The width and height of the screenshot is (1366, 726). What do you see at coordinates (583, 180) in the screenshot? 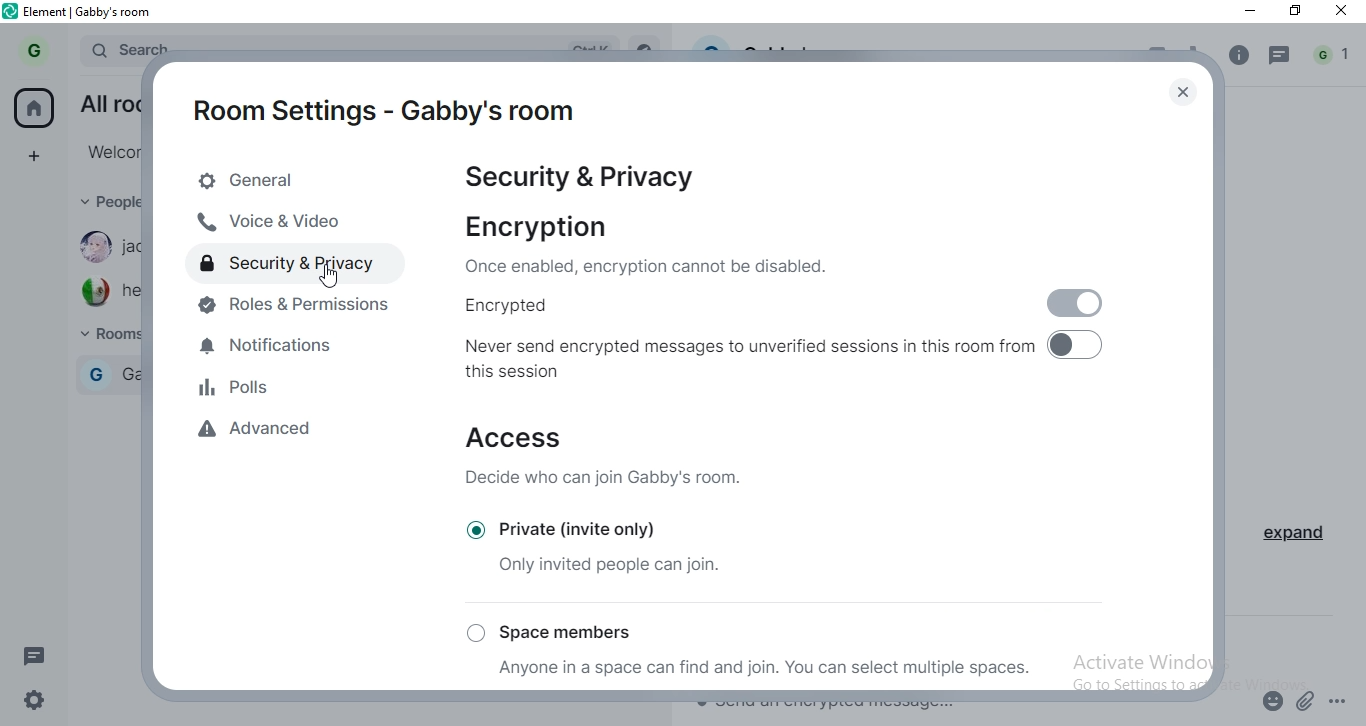
I see `security & privacy` at bounding box center [583, 180].